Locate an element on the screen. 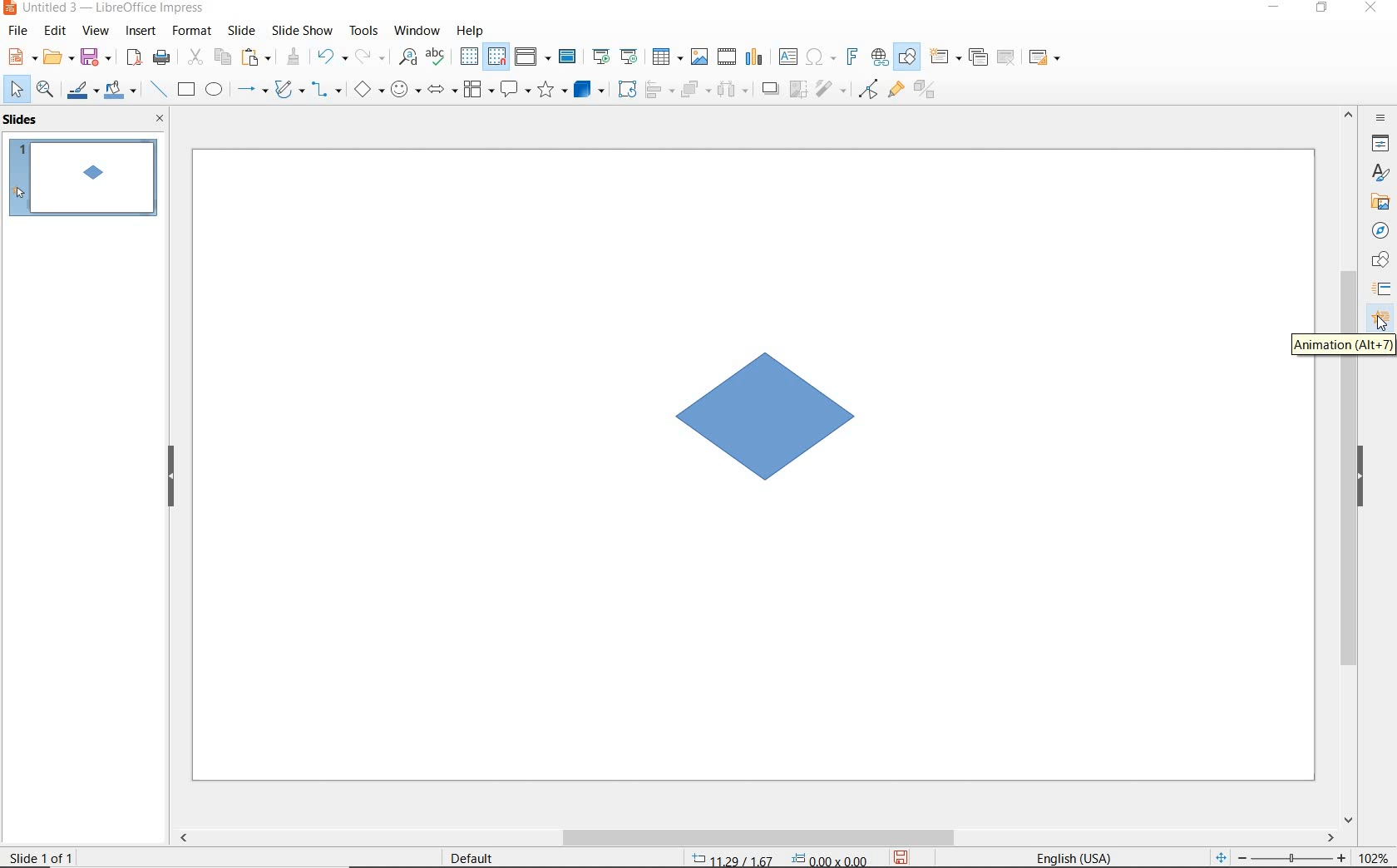  zoom factor is located at coordinates (1372, 856).